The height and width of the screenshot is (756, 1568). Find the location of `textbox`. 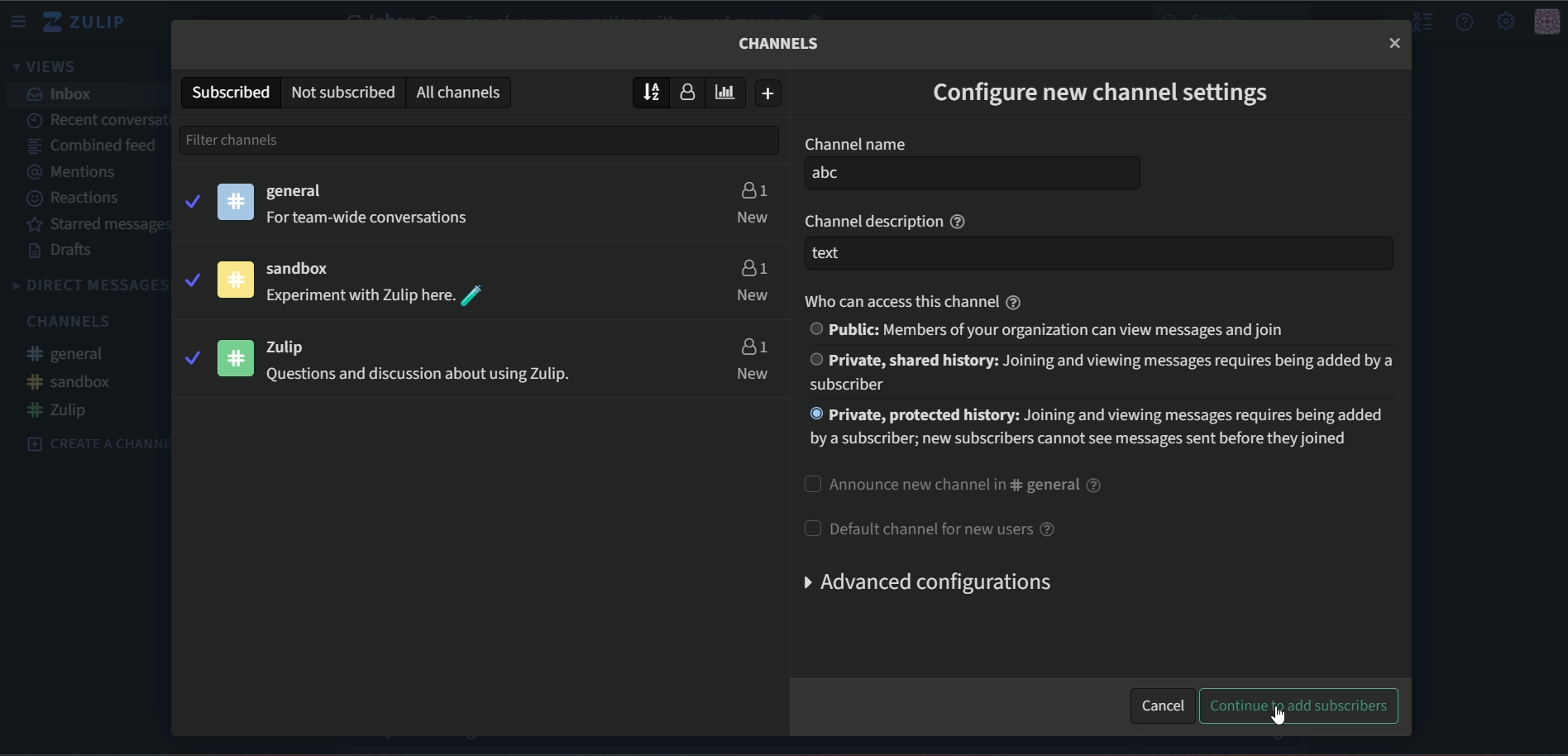

textbox is located at coordinates (1097, 254).